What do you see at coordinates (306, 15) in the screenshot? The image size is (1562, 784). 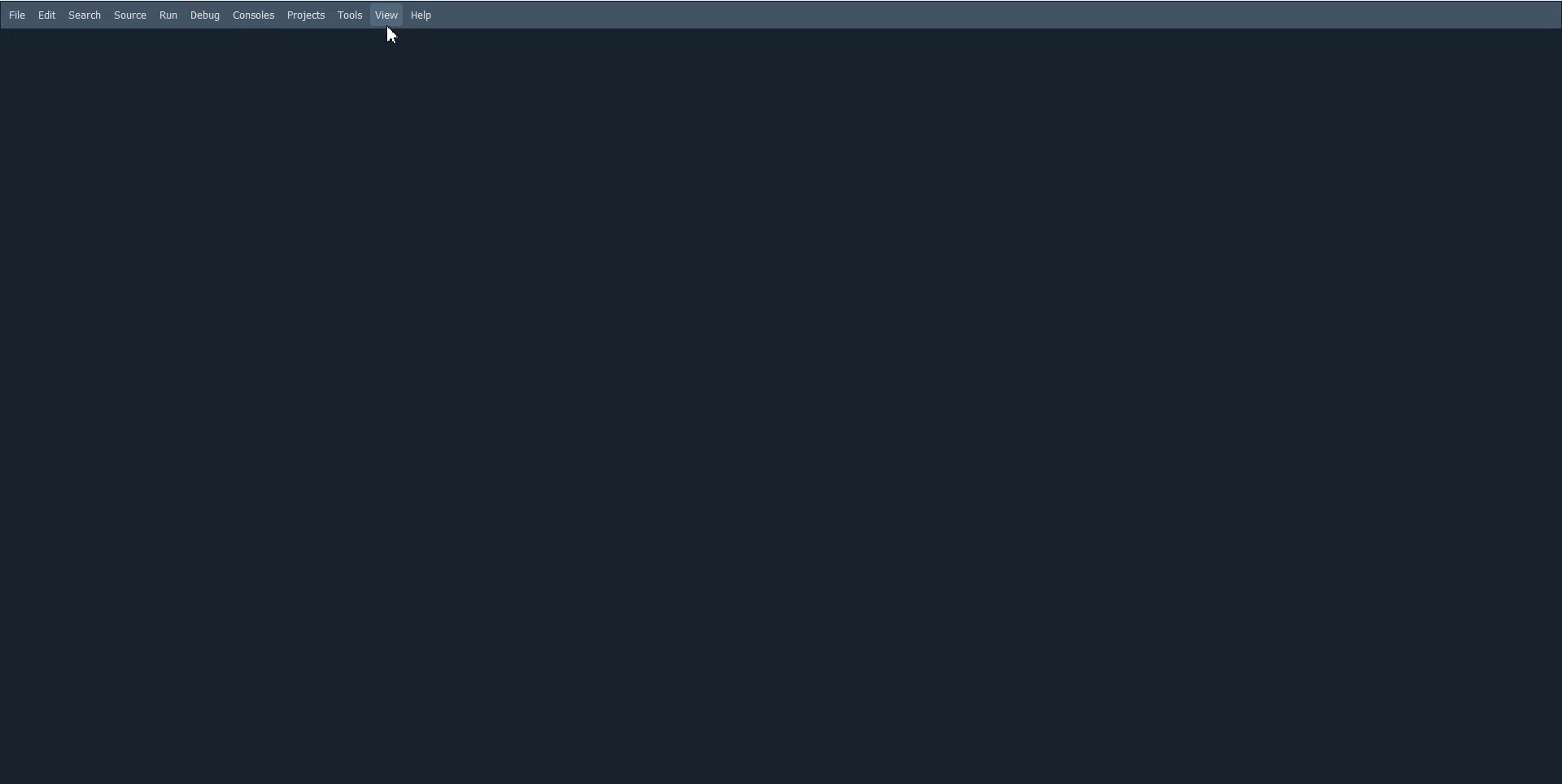 I see `Projects` at bounding box center [306, 15].